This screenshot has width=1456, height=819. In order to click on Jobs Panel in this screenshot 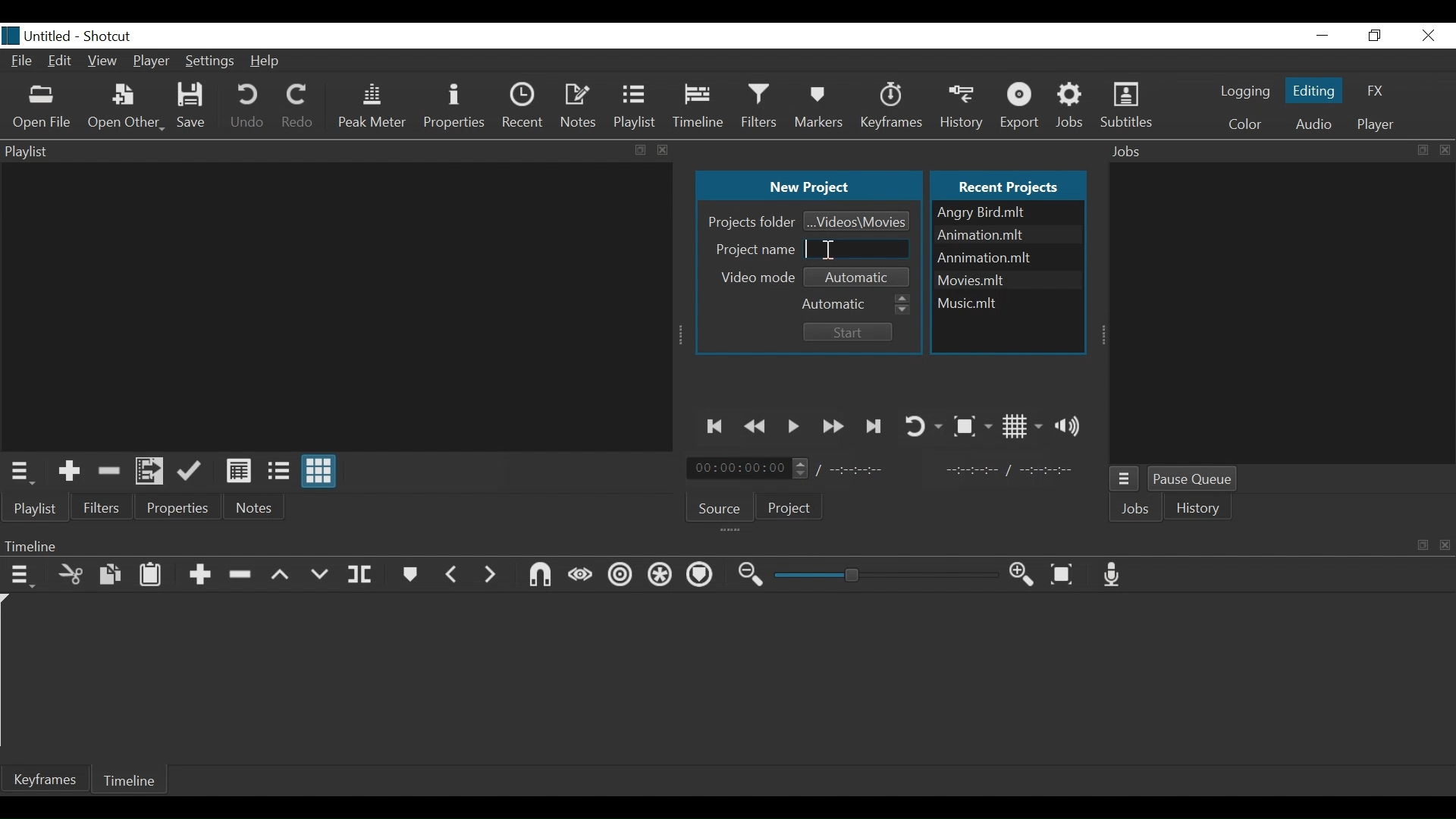, I will do `click(1284, 314)`.